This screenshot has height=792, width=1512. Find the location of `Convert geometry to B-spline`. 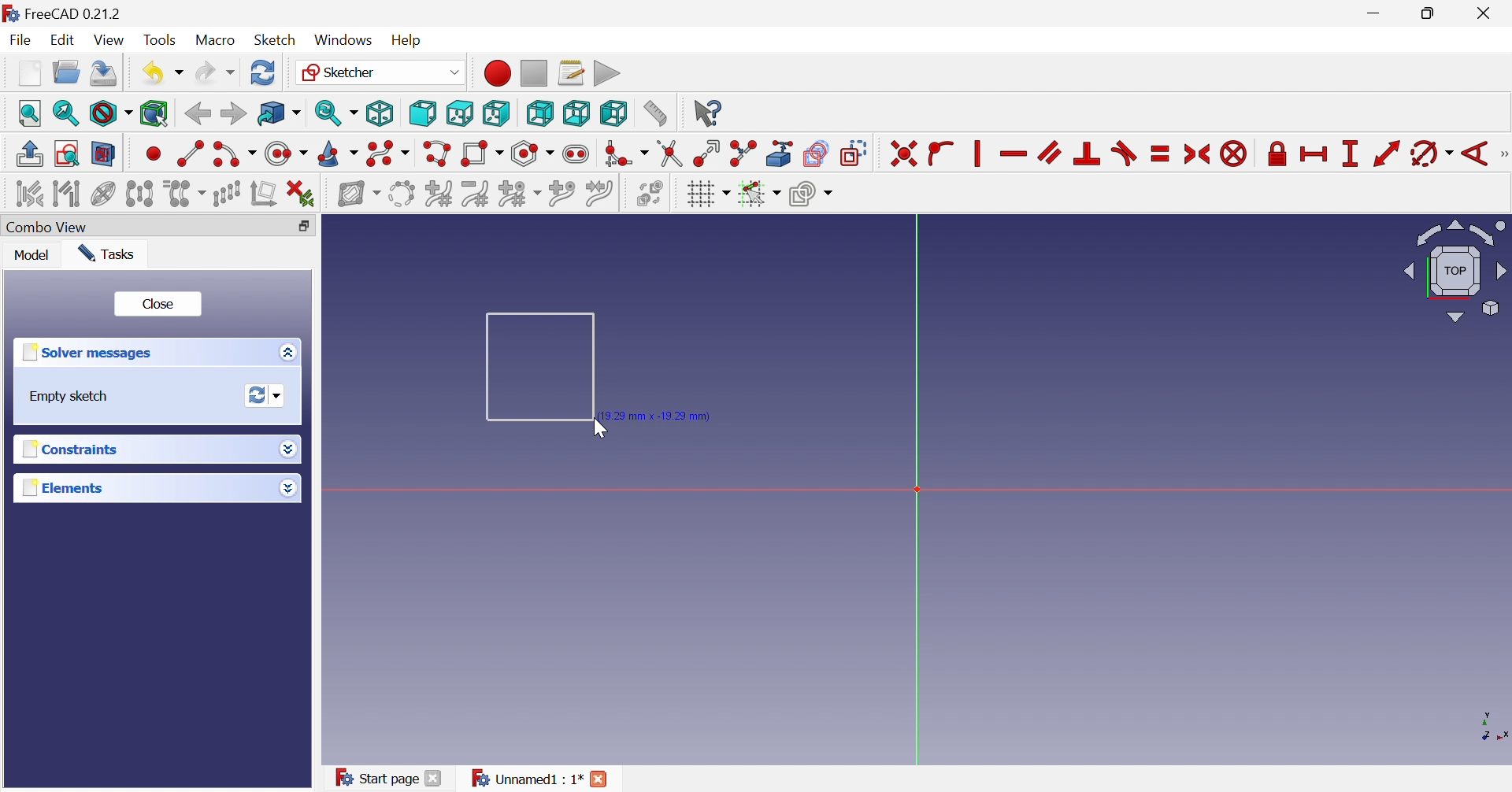

Convert geometry to B-spline is located at coordinates (400, 194).